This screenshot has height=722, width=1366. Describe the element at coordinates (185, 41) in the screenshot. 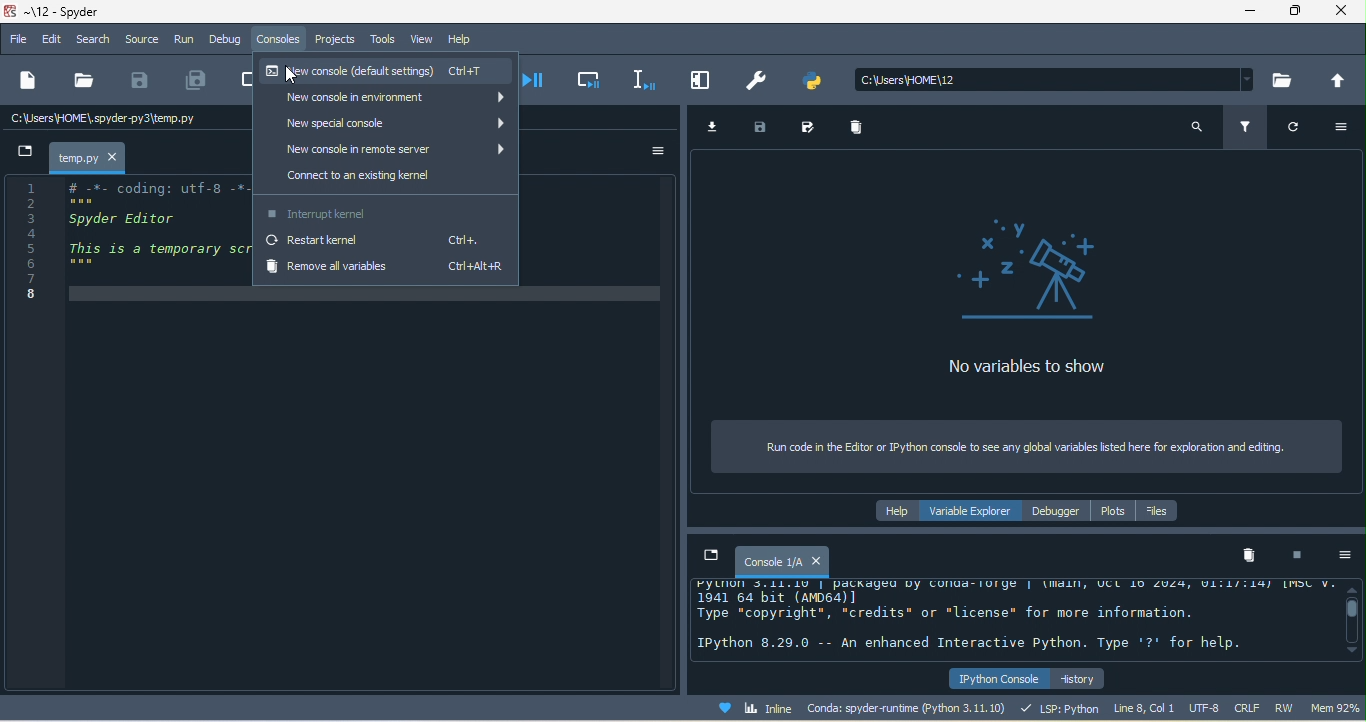

I see `run` at that location.